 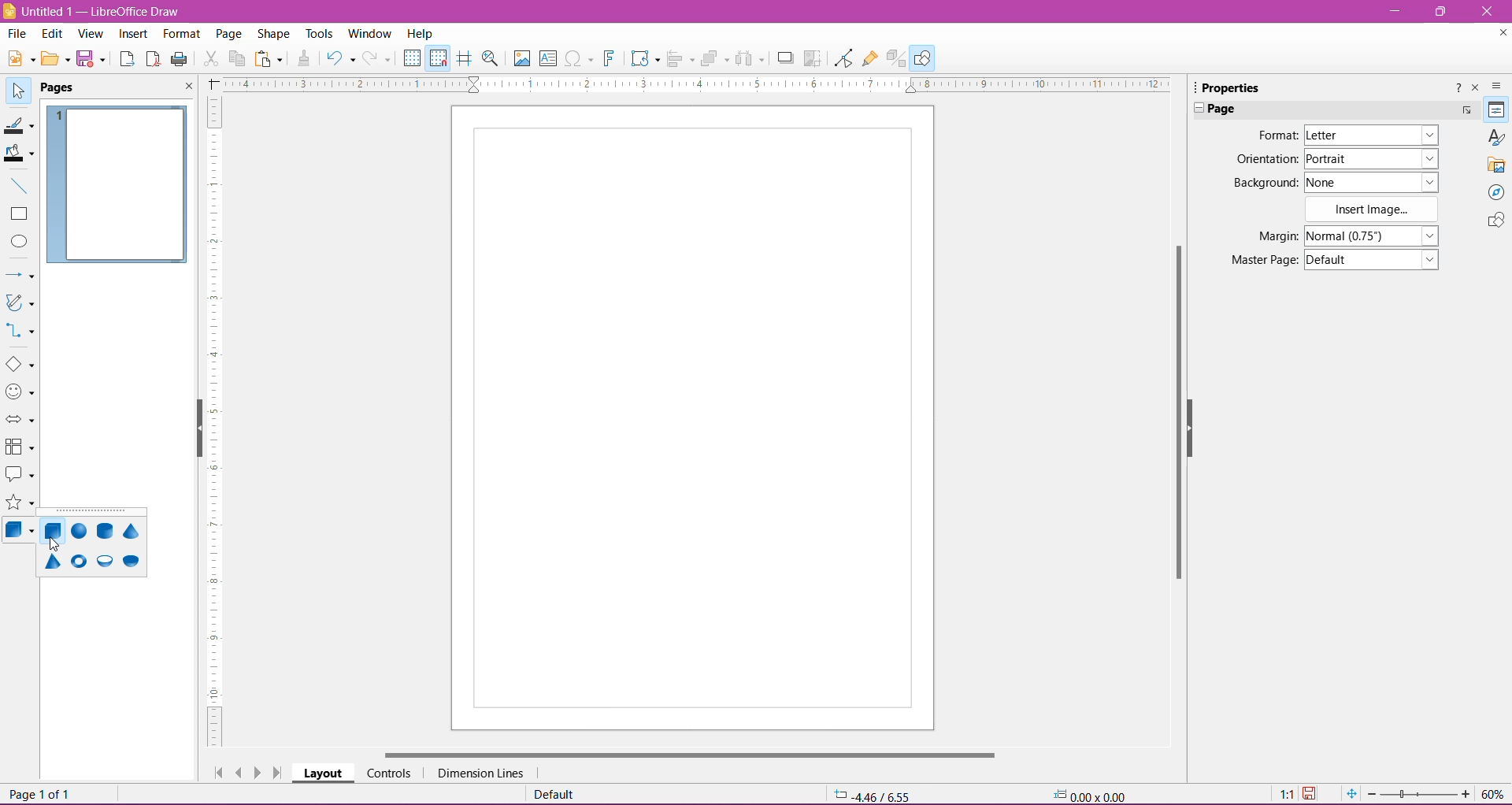 What do you see at coordinates (1193, 425) in the screenshot?
I see `Hide` at bounding box center [1193, 425].